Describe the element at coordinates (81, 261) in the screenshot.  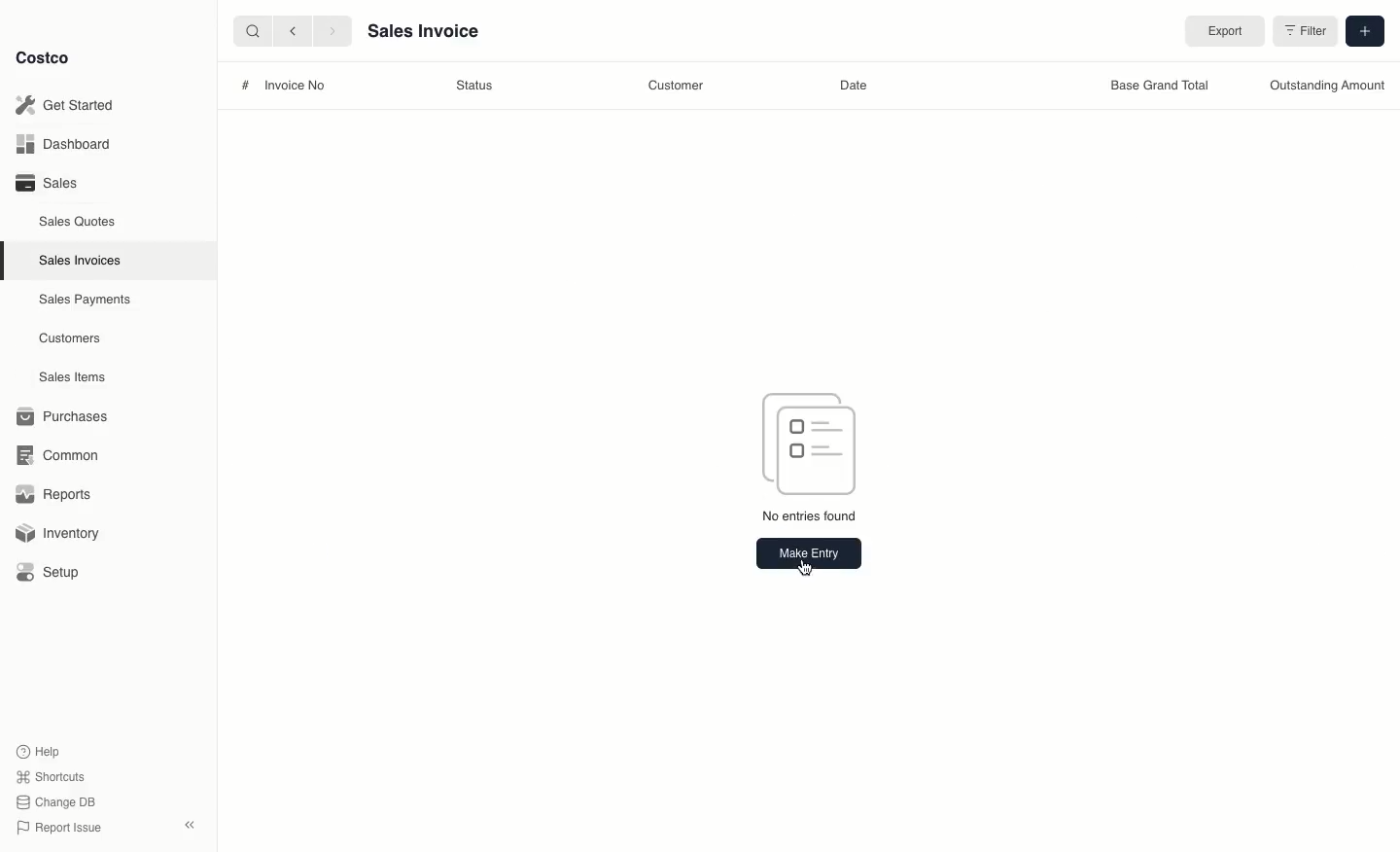
I see `Sales Invoices` at that location.